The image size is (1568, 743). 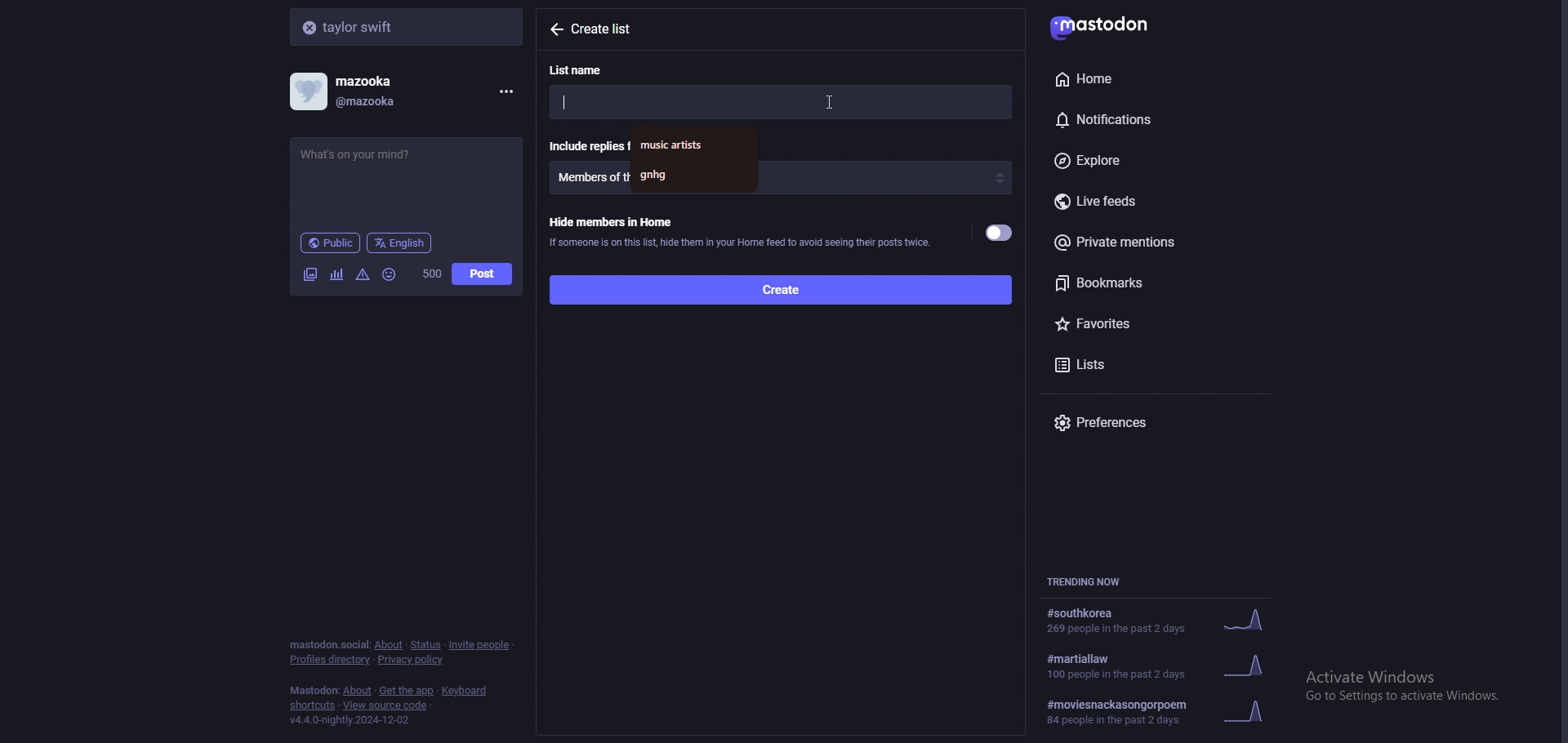 What do you see at coordinates (482, 274) in the screenshot?
I see `post` at bounding box center [482, 274].